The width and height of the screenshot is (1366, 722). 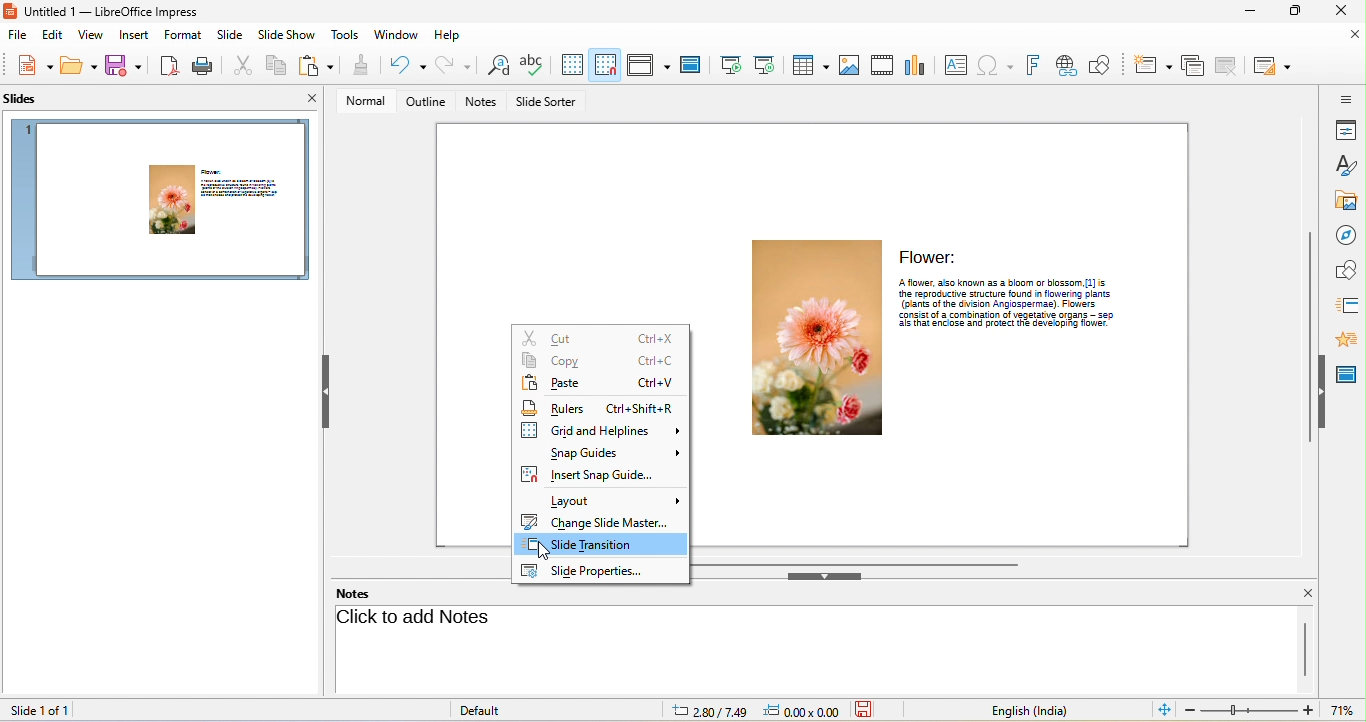 I want to click on slideshow, so click(x=286, y=35).